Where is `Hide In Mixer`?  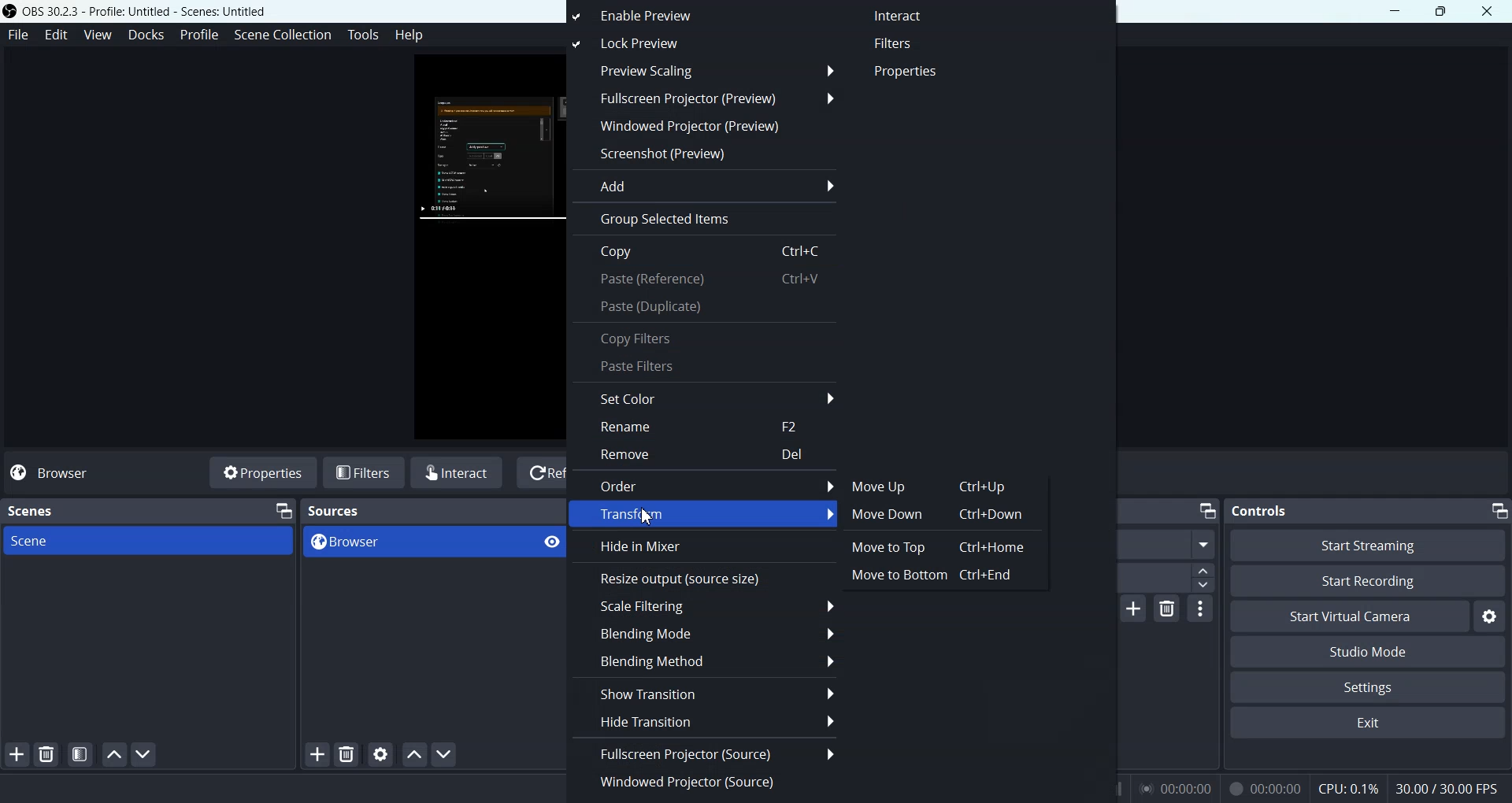 Hide In Mixer is located at coordinates (704, 547).